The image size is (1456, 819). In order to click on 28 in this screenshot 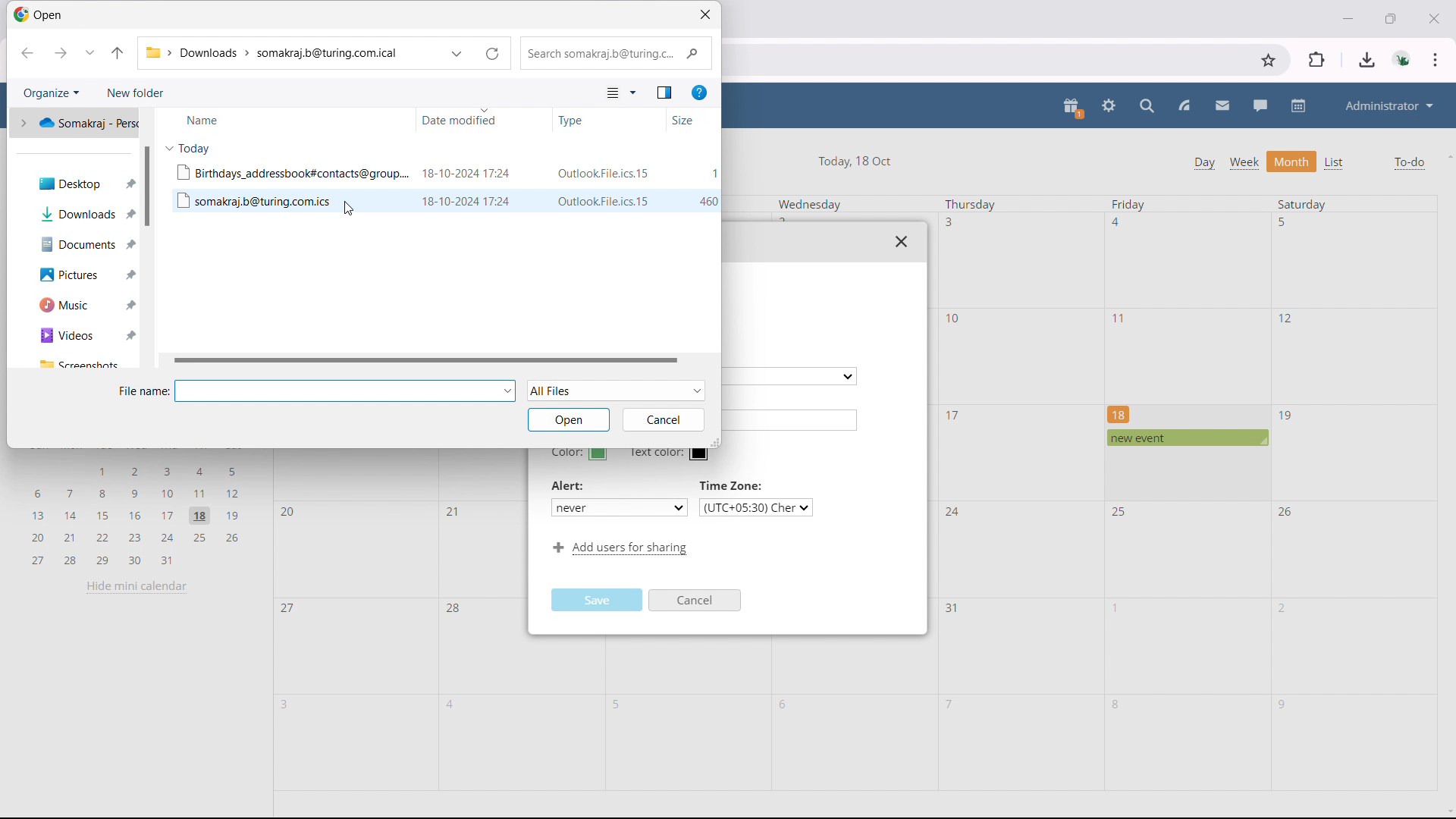, I will do `click(454, 610)`.